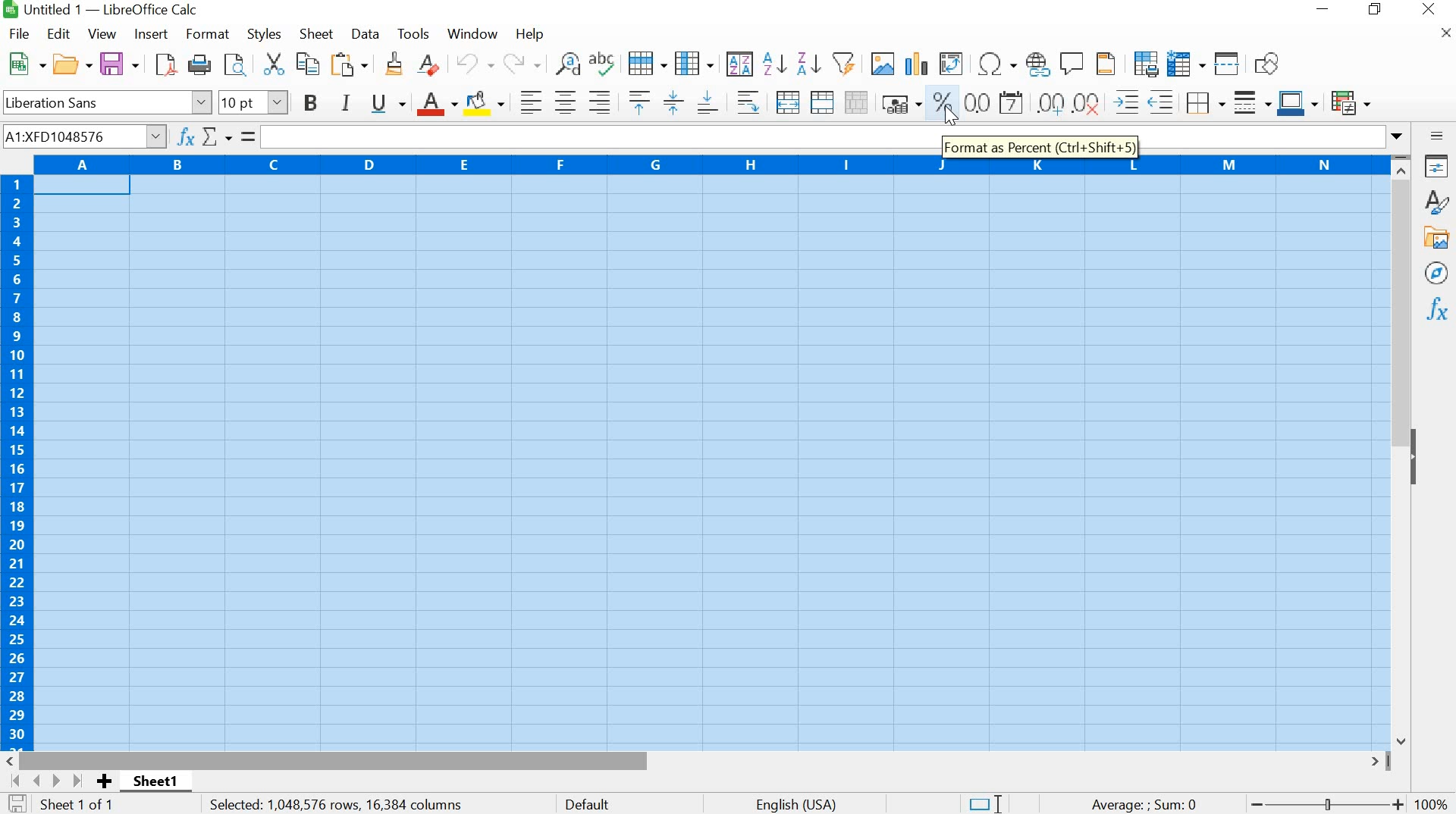 The width and height of the screenshot is (1456, 814). What do you see at coordinates (1012, 103) in the screenshot?
I see `Format as Date` at bounding box center [1012, 103].